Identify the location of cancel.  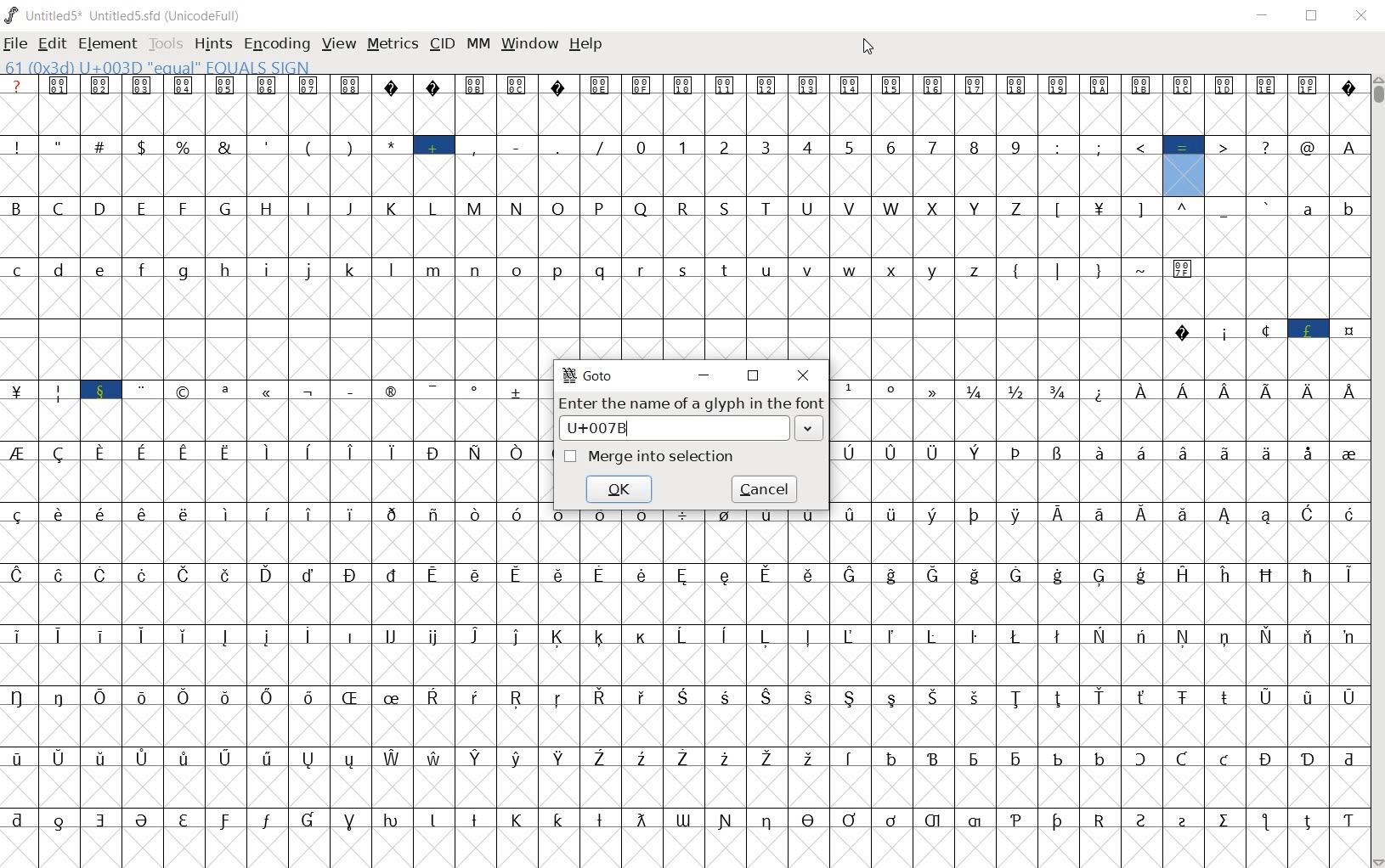
(763, 491).